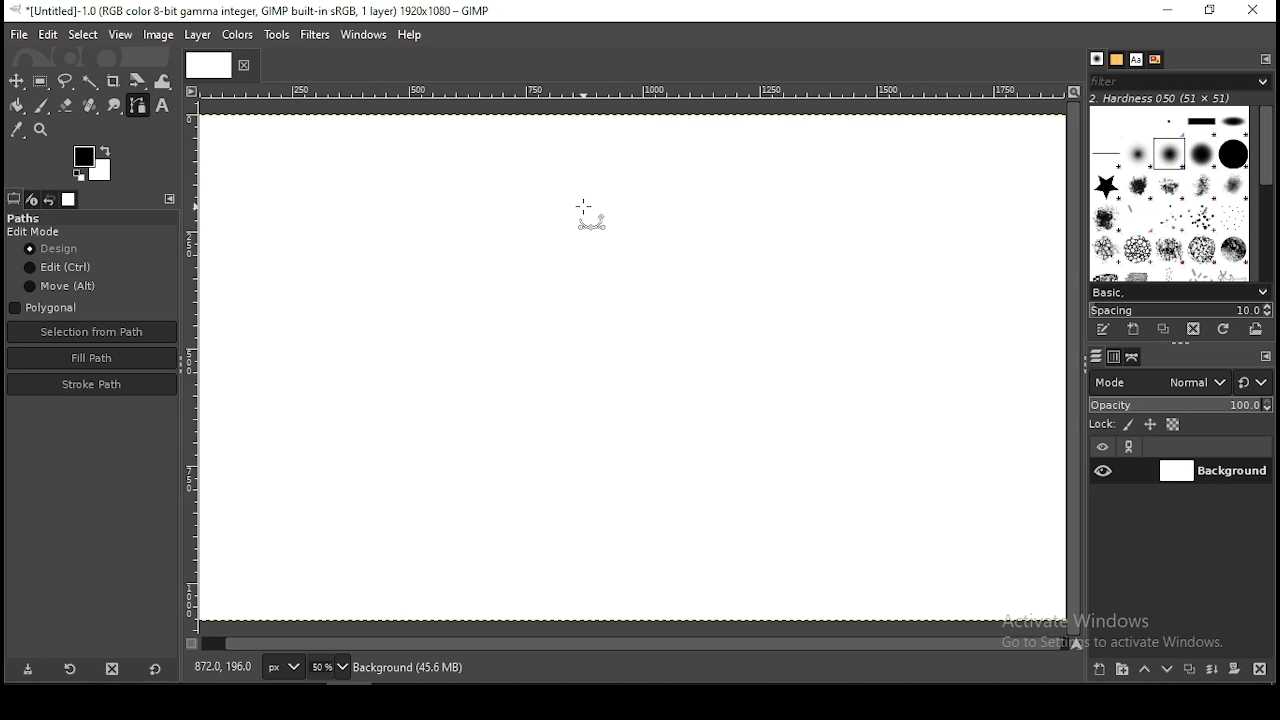 This screenshot has height=720, width=1280. What do you see at coordinates (1135, 59) in the screenshot?
I see `text` at bounding box center [1135, 59].